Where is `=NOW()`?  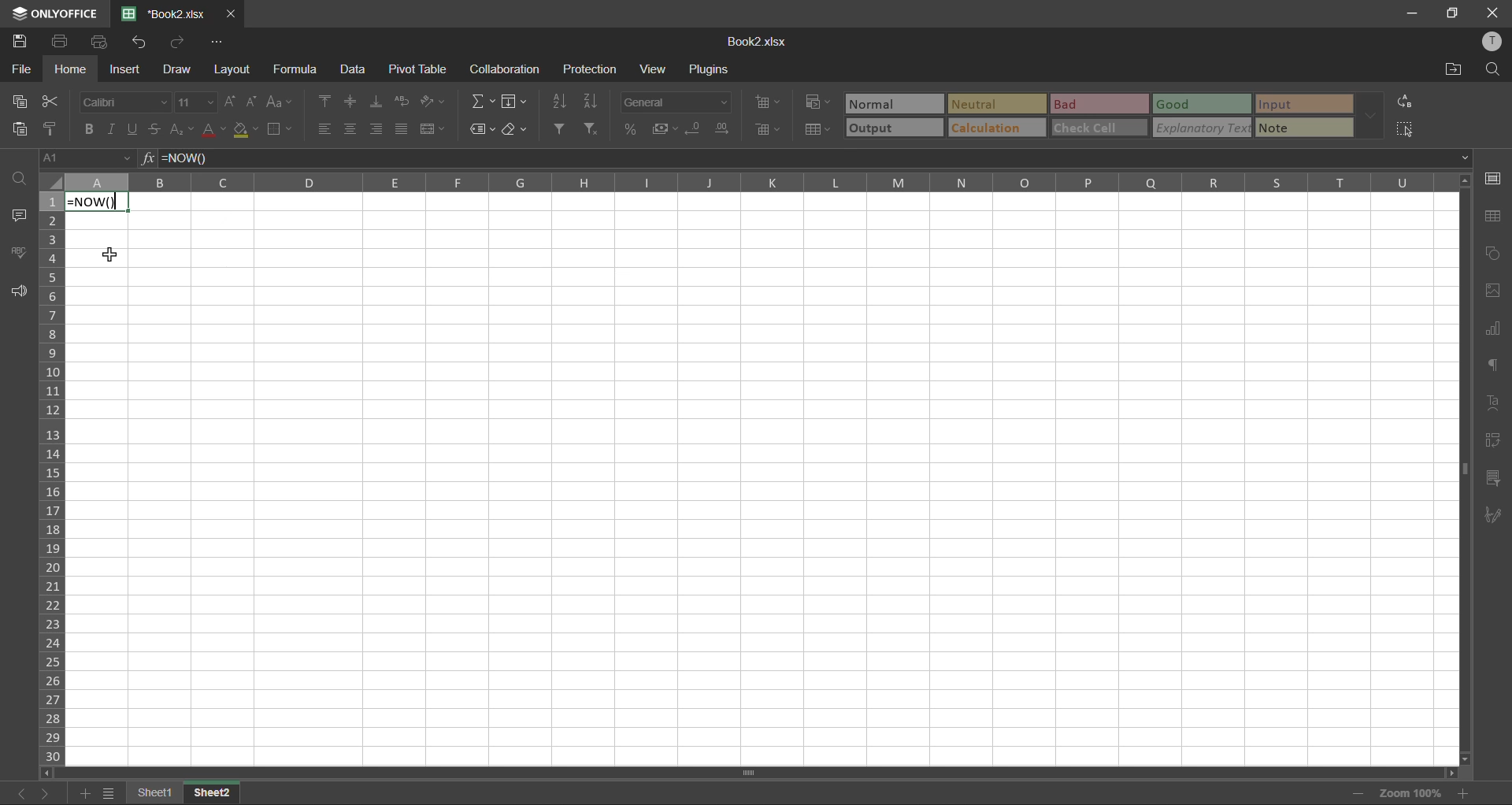 =NOW() is located at coordinates (99, 202).